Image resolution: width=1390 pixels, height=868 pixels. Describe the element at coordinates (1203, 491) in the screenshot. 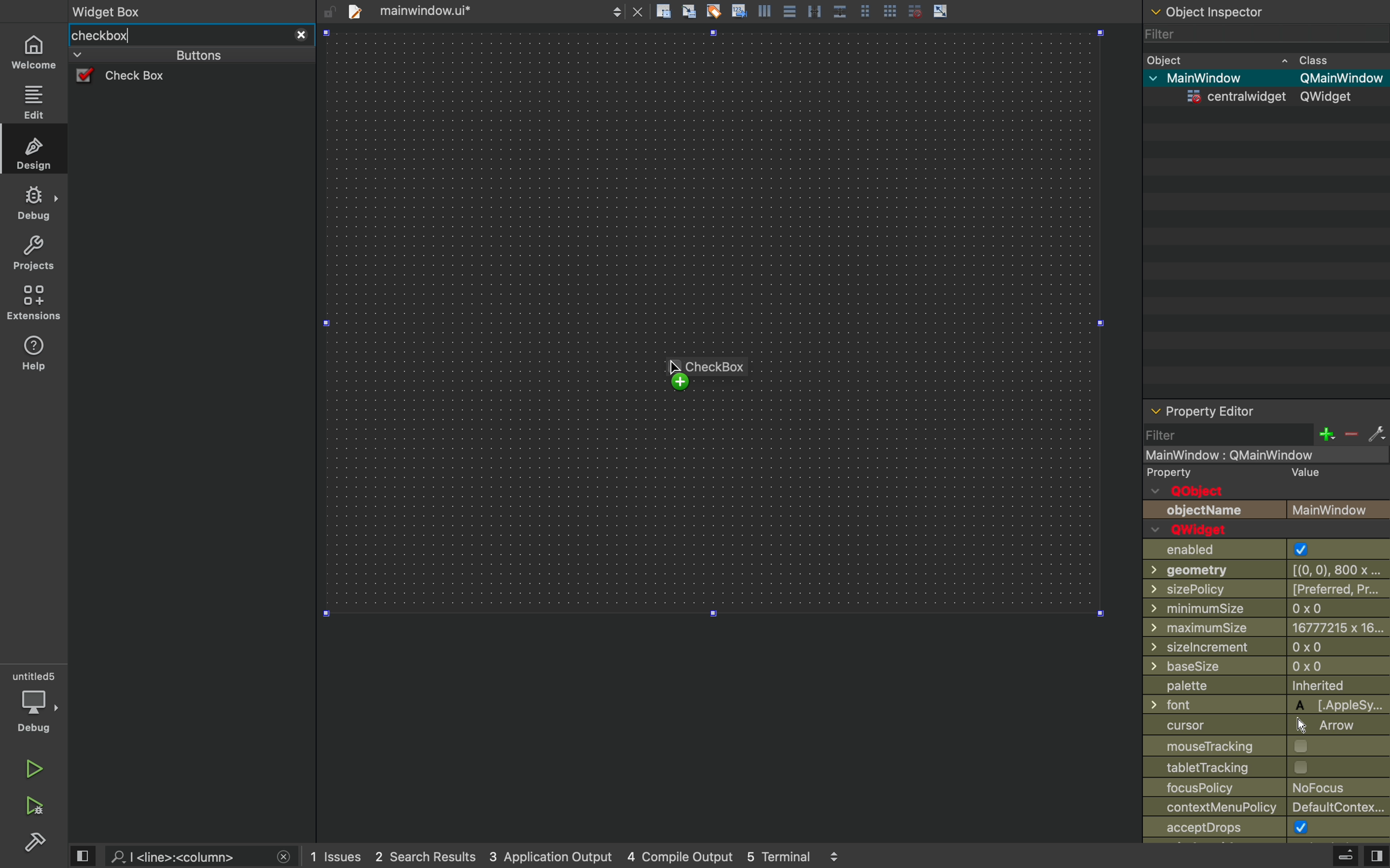

I see `qobject` at that location.